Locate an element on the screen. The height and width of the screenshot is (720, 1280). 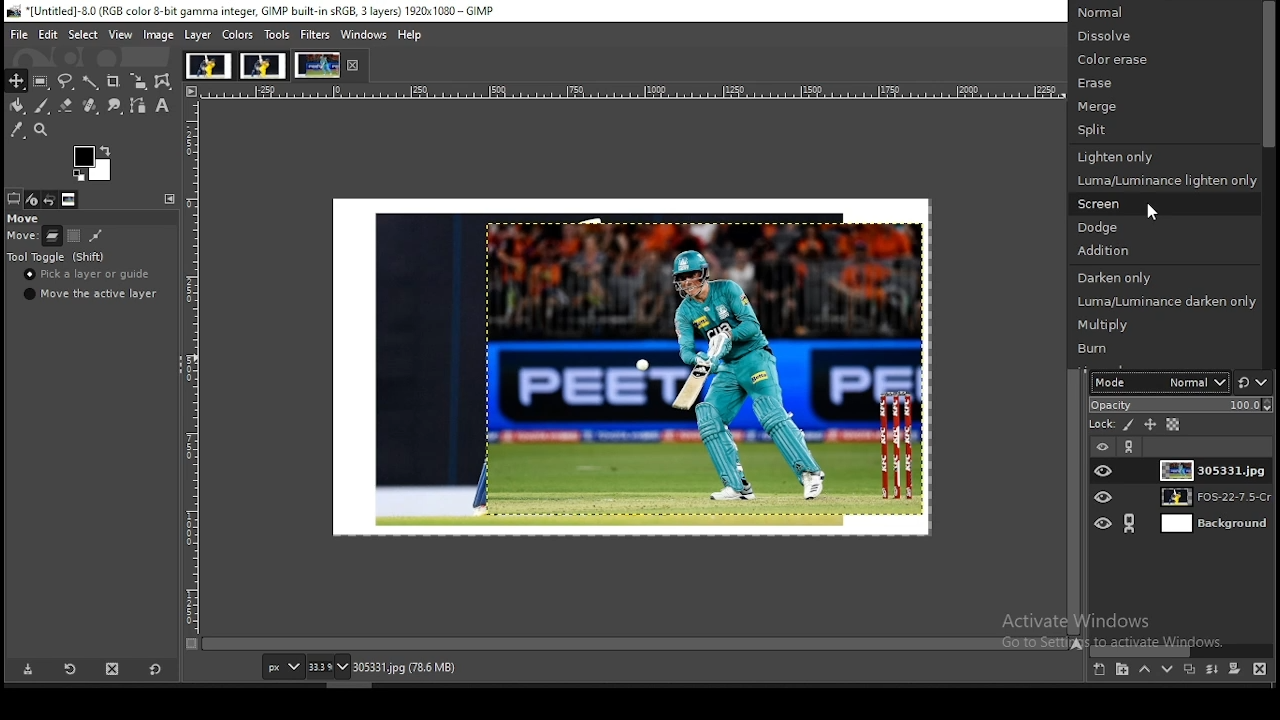
units is located at coordinates (283, 666).